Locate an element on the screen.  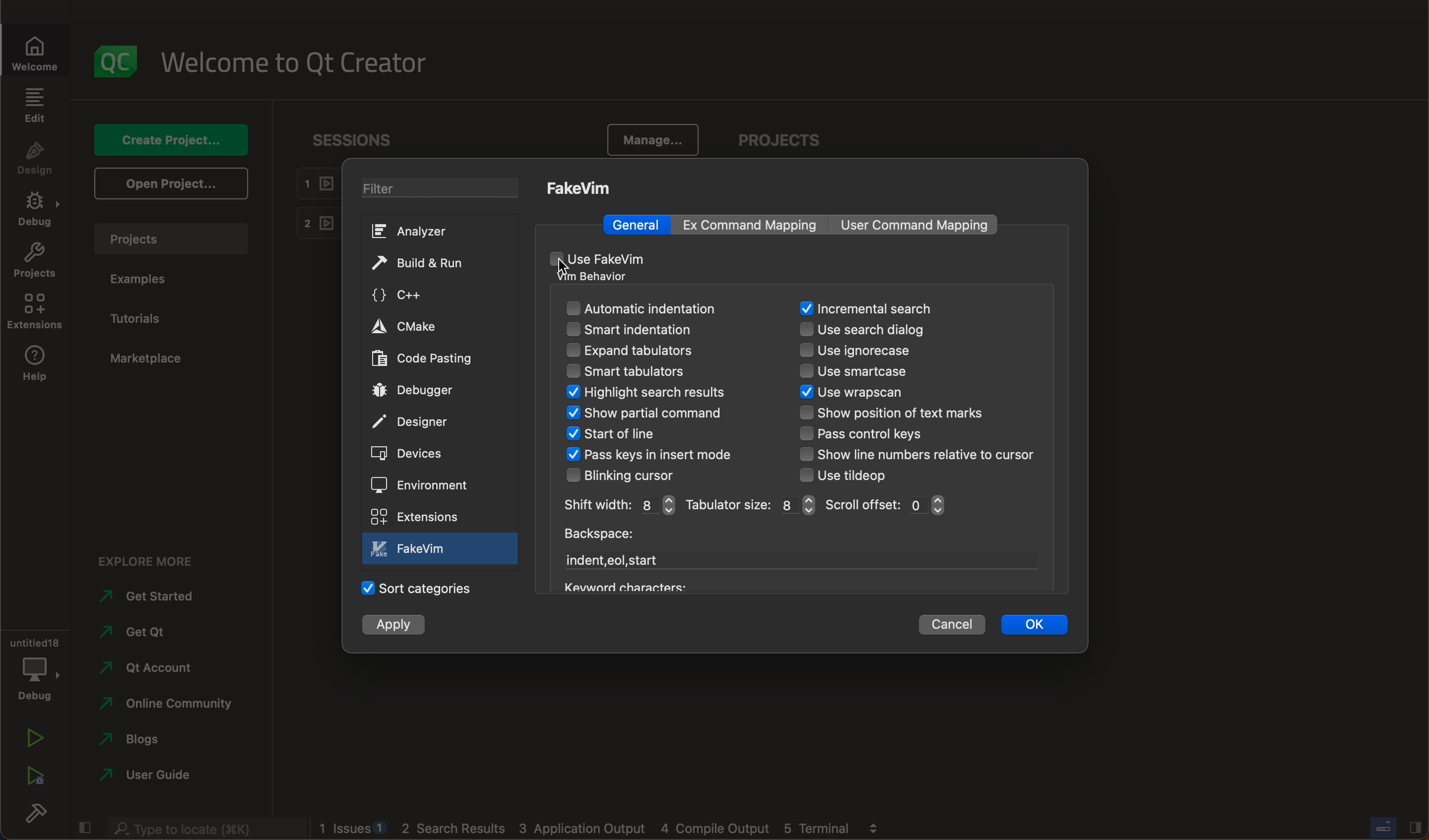
start is located at coordinates (616, 561).